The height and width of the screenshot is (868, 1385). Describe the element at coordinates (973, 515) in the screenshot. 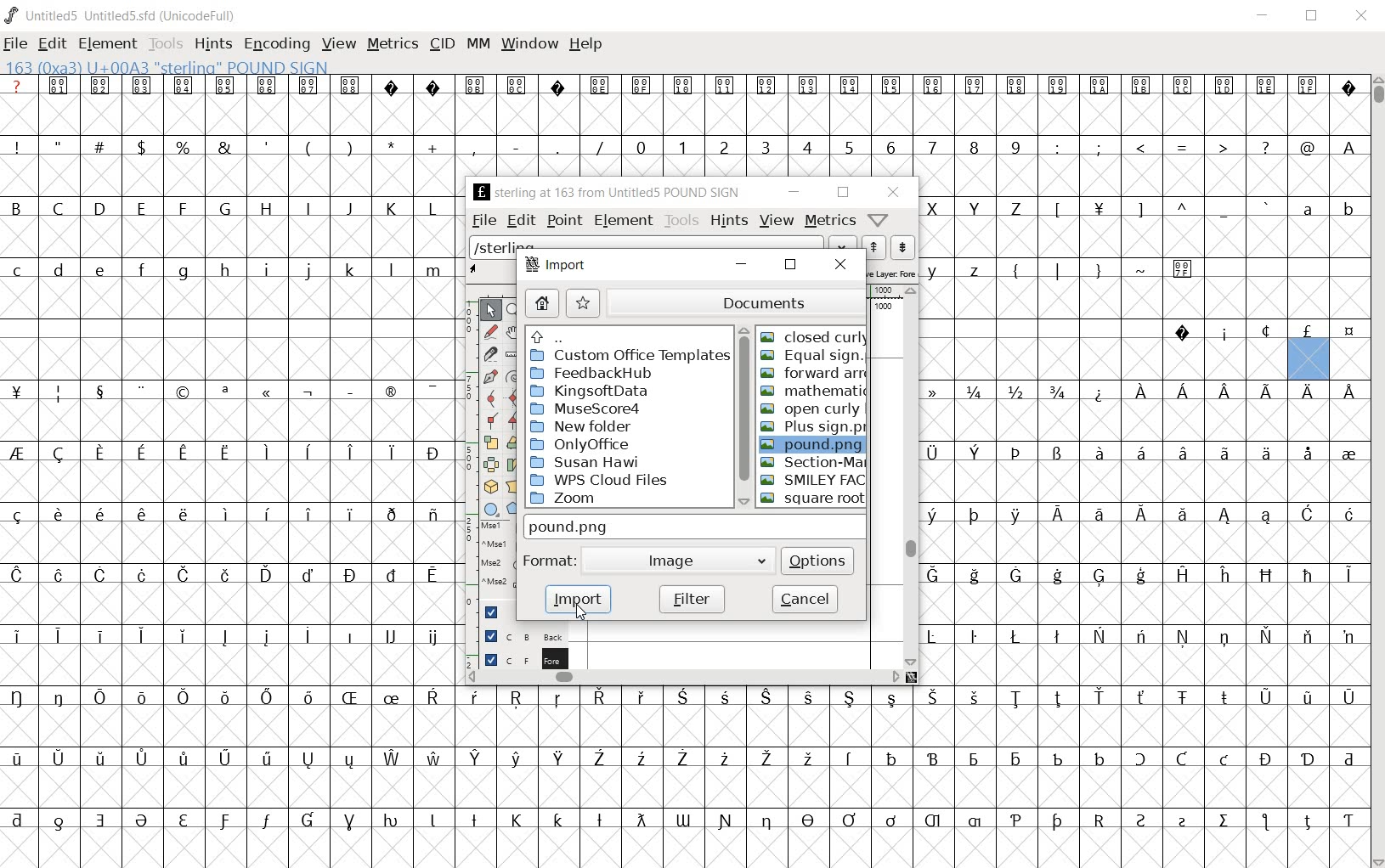

I see `Symbol` at that location.